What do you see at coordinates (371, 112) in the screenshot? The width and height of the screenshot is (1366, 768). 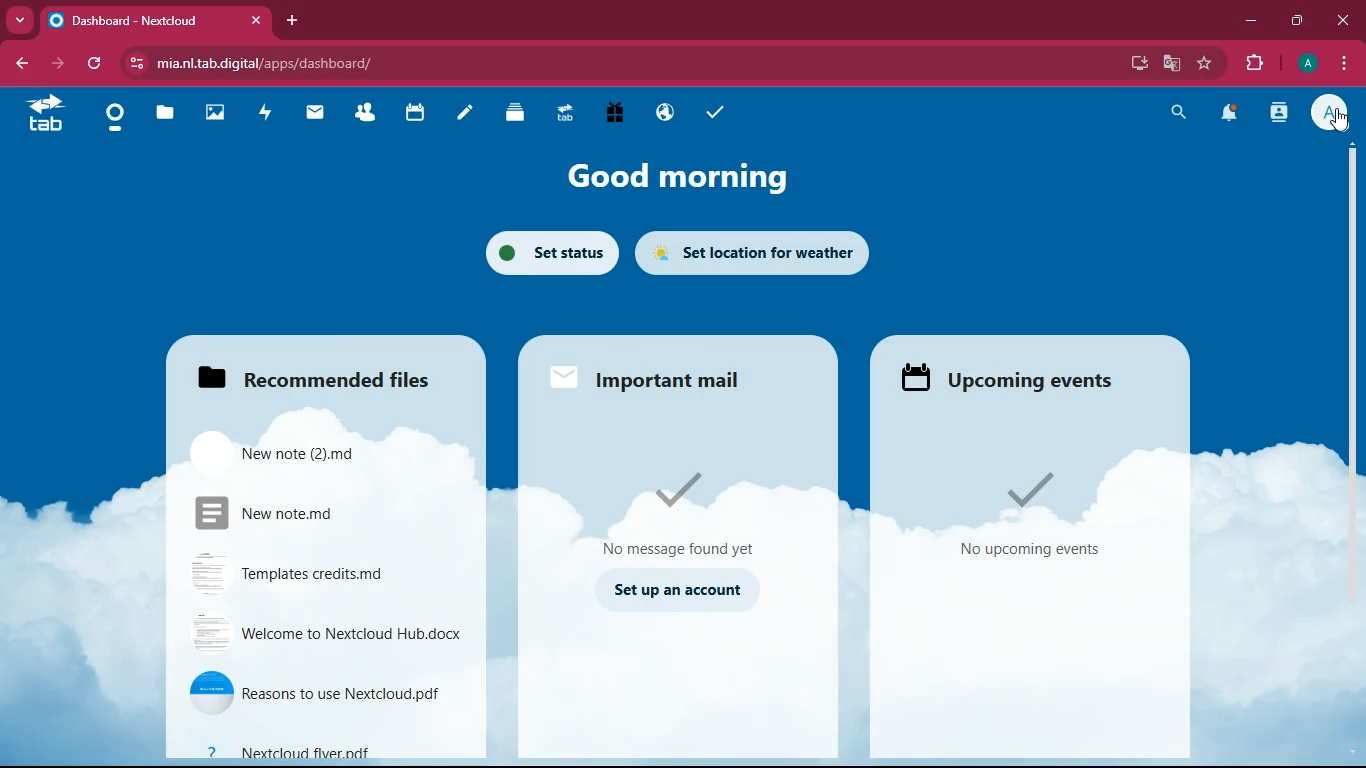 I see `friends` at bounding box center [371, 112].